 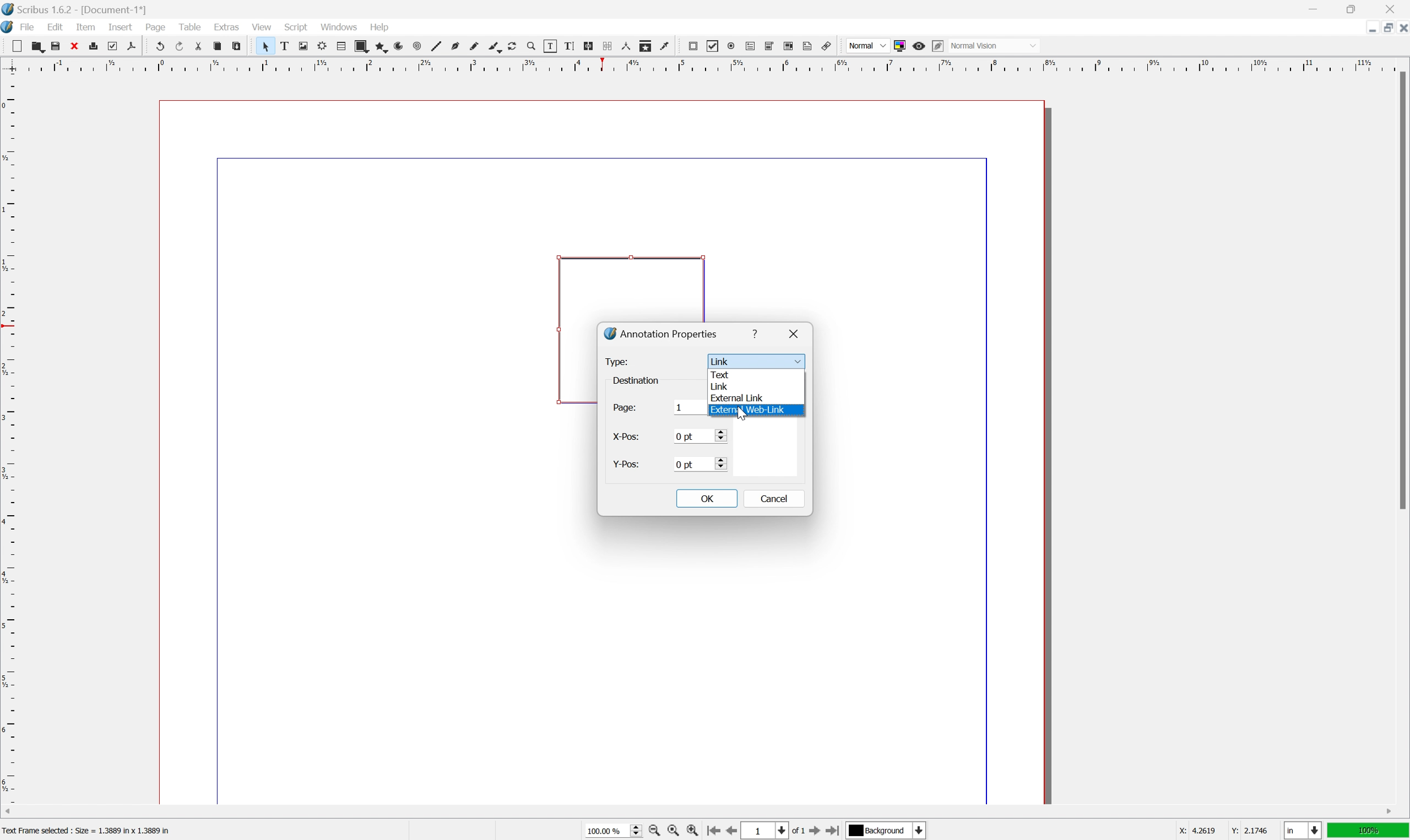 I want to click on OK, so click(x=707, y=499).